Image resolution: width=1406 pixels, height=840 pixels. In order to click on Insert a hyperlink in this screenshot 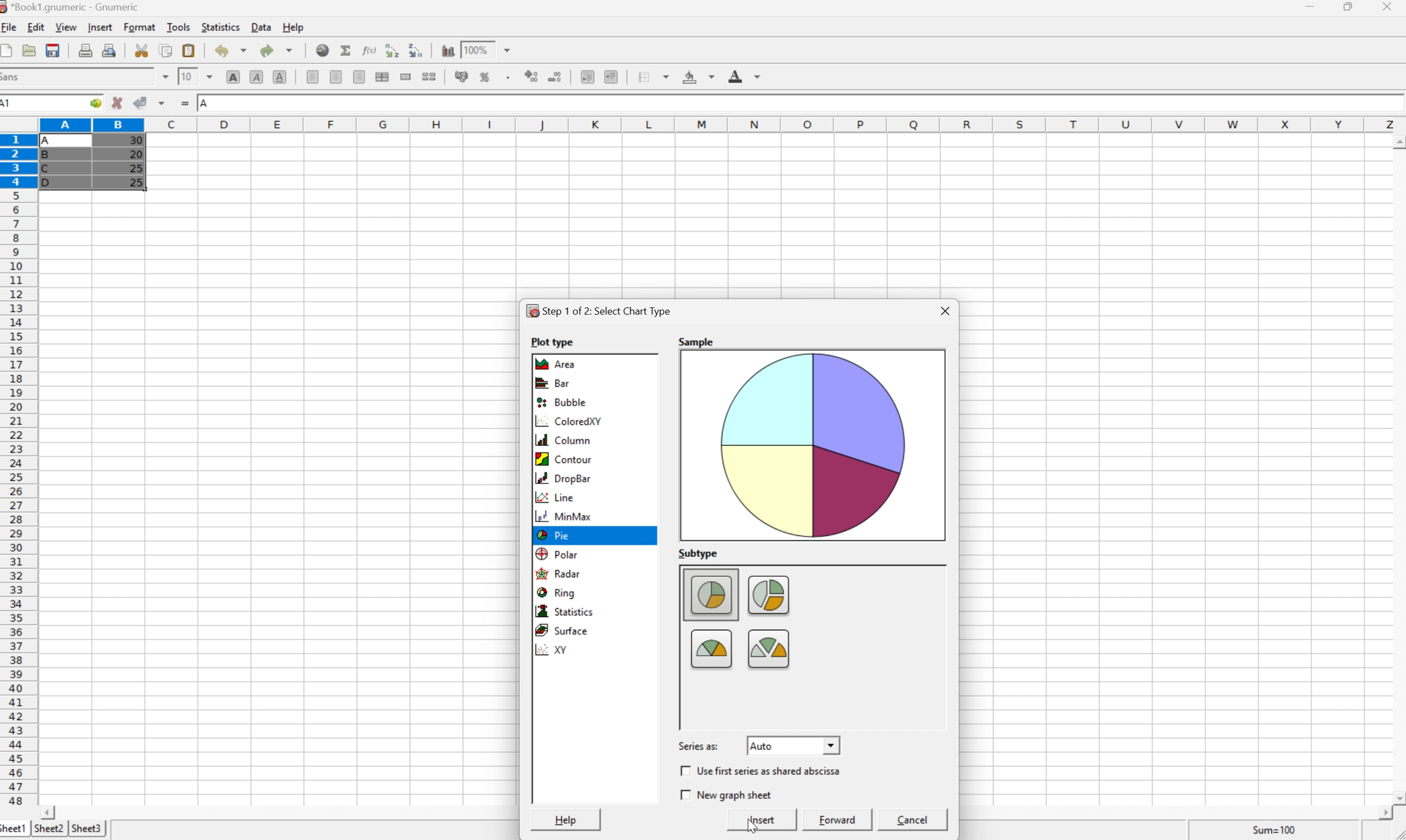, I will do `click(323, 50)`.